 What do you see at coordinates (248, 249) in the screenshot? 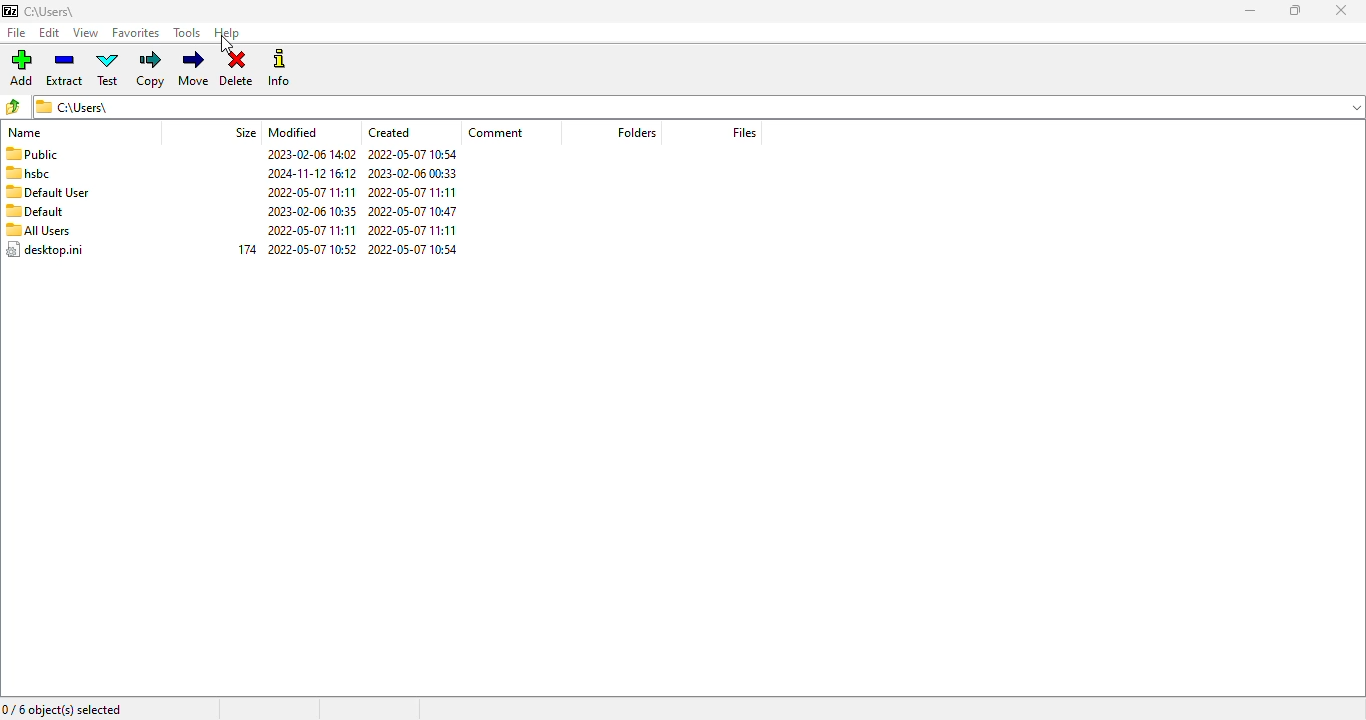
I see `size` at bounding box center [248, 249].